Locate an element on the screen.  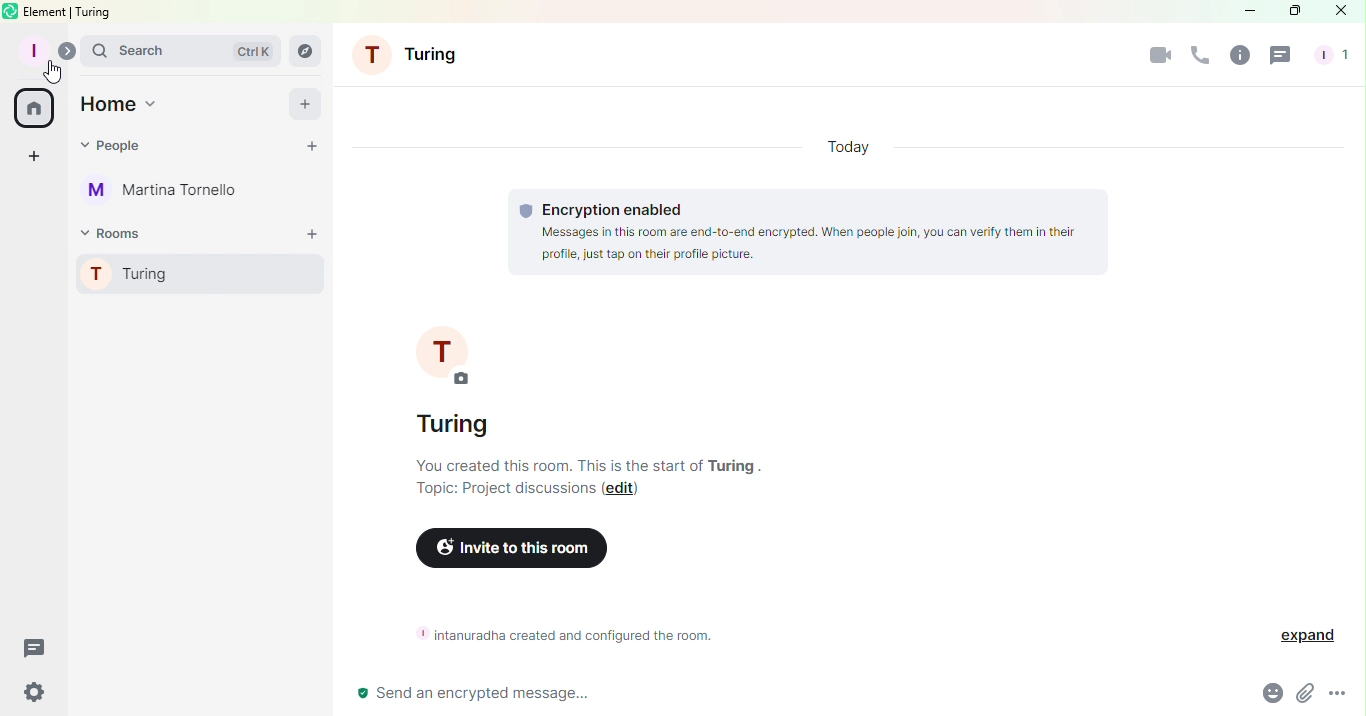
Profile is located at coordinates (33, 49).